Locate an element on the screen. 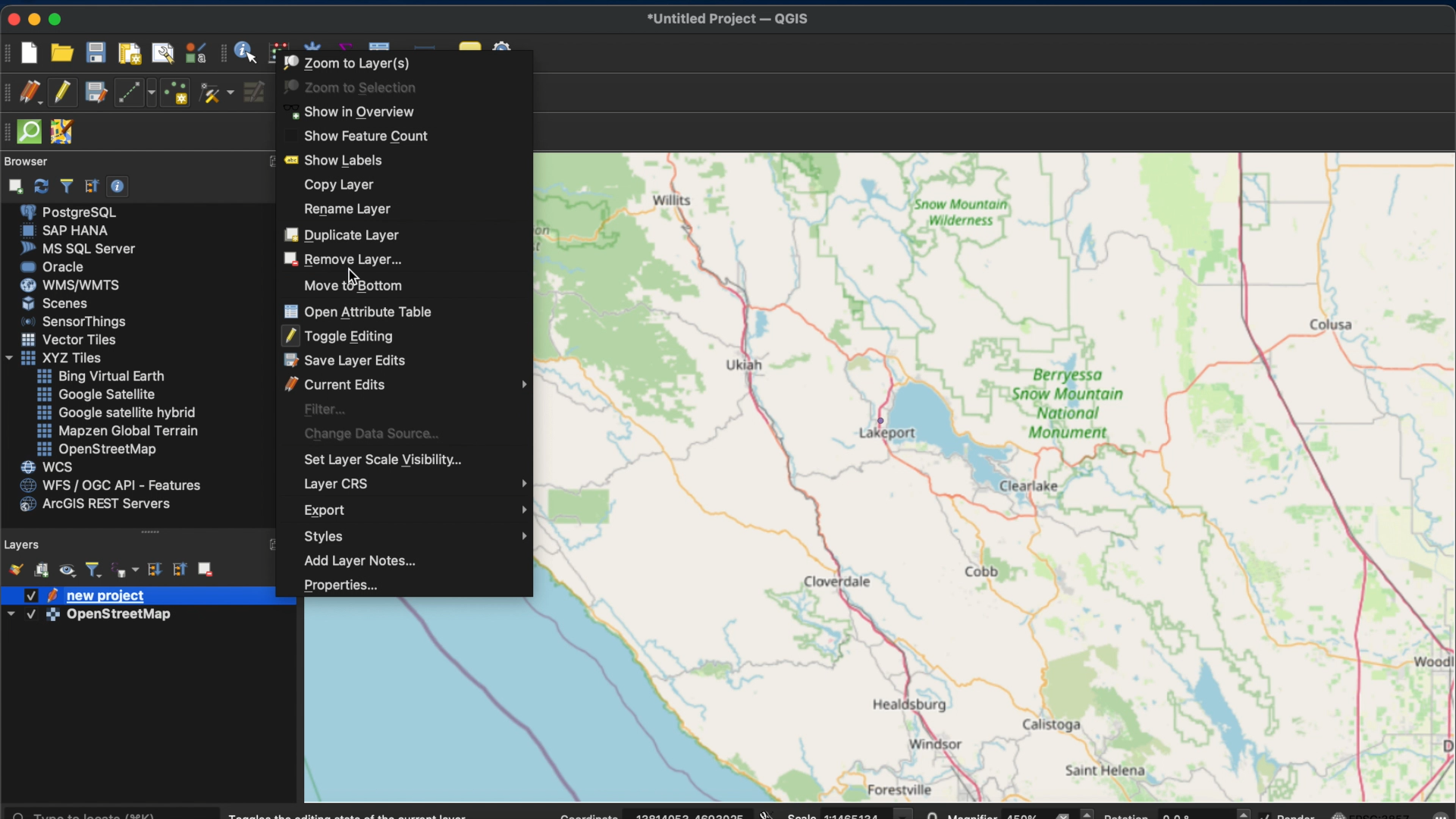 Image resolution: width=1456 pixels, height=819 pixels. xyz tiles is located at coordinates (52, 359).